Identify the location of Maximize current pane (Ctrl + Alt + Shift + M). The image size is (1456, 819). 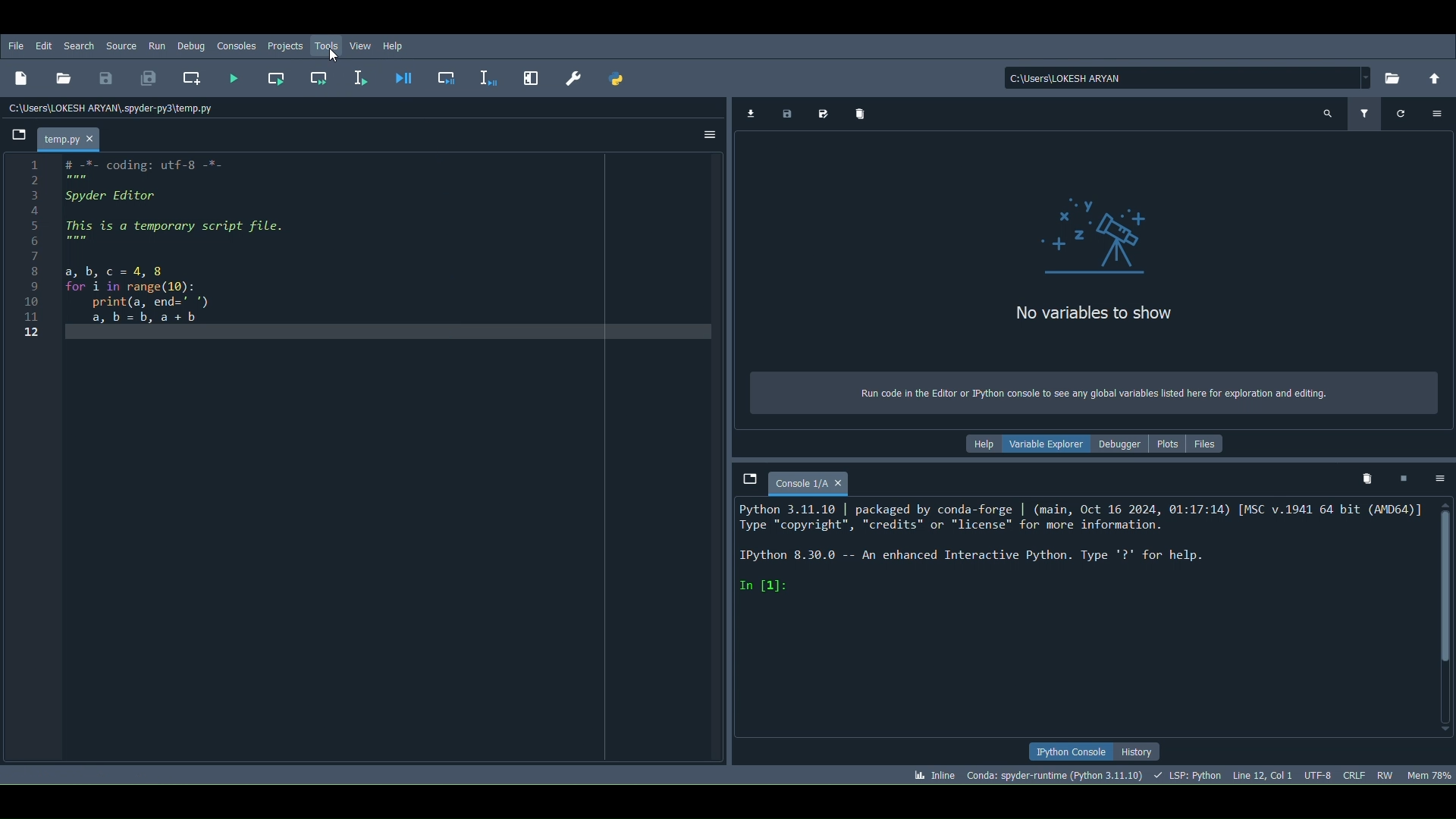
(532, 76).